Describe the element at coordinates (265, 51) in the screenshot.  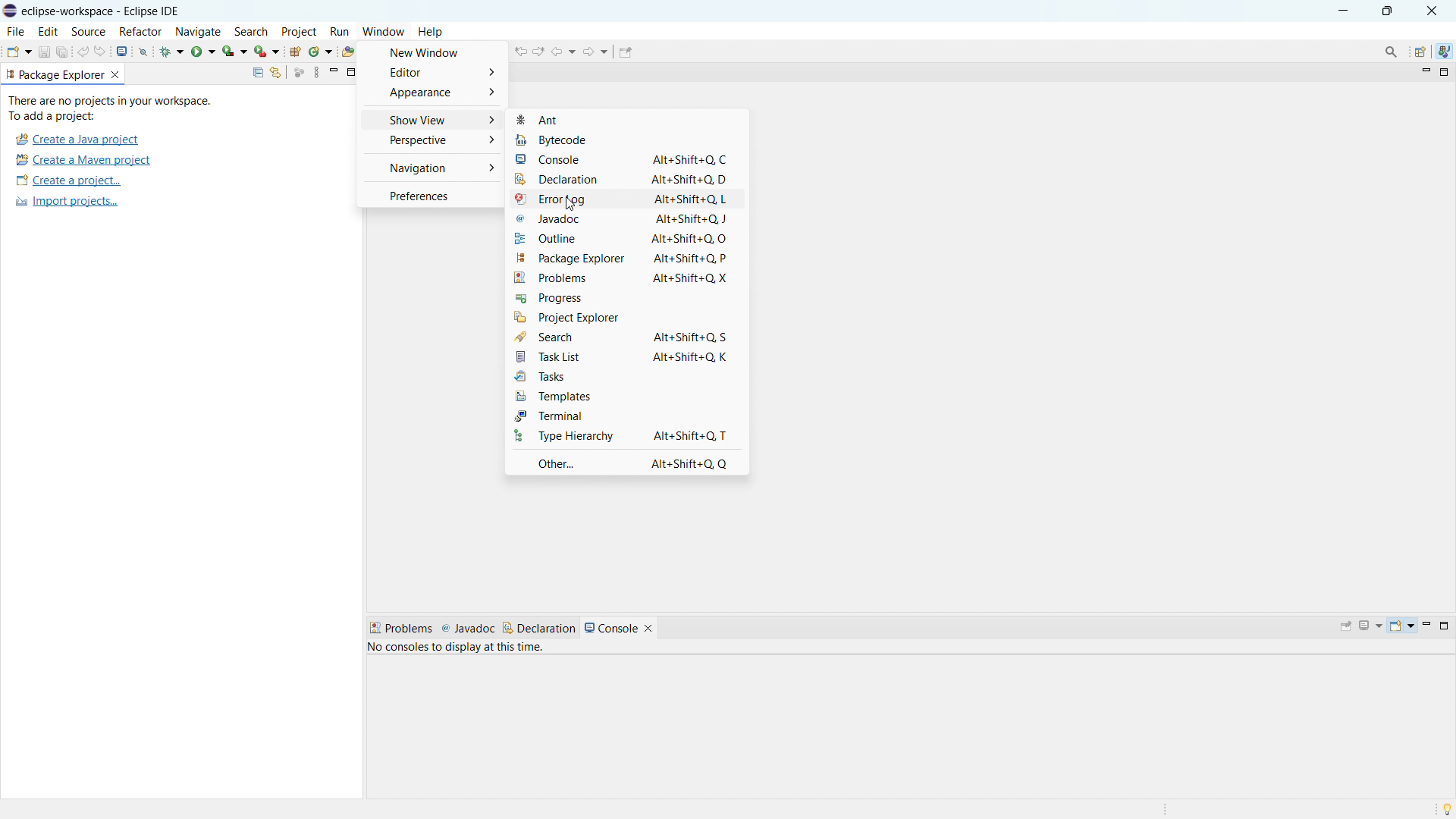
I see `run last tool` at that location.